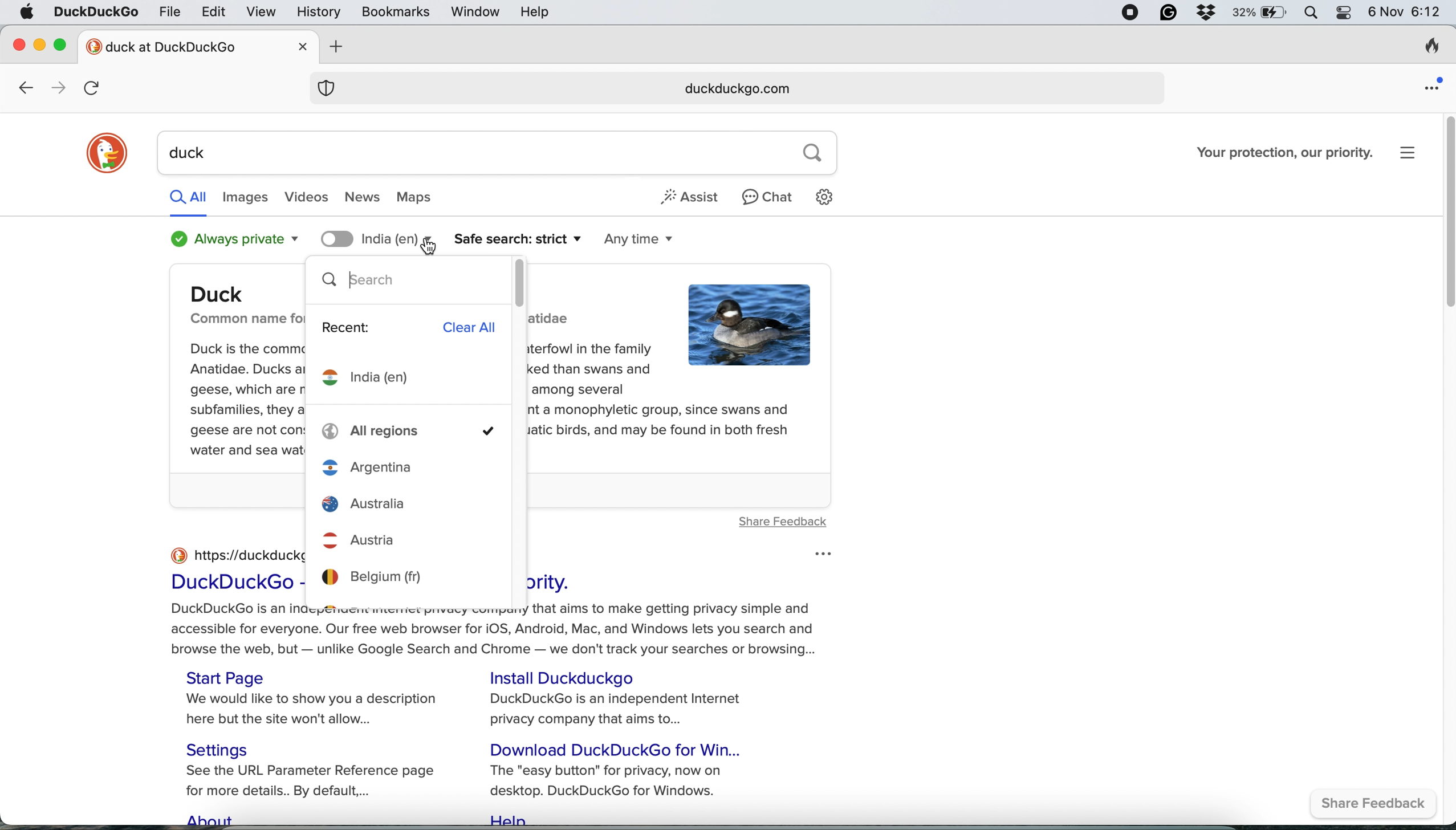 The height and width of the screenshot is (830, 1456). I want to click on battery, so click(1260, 13).